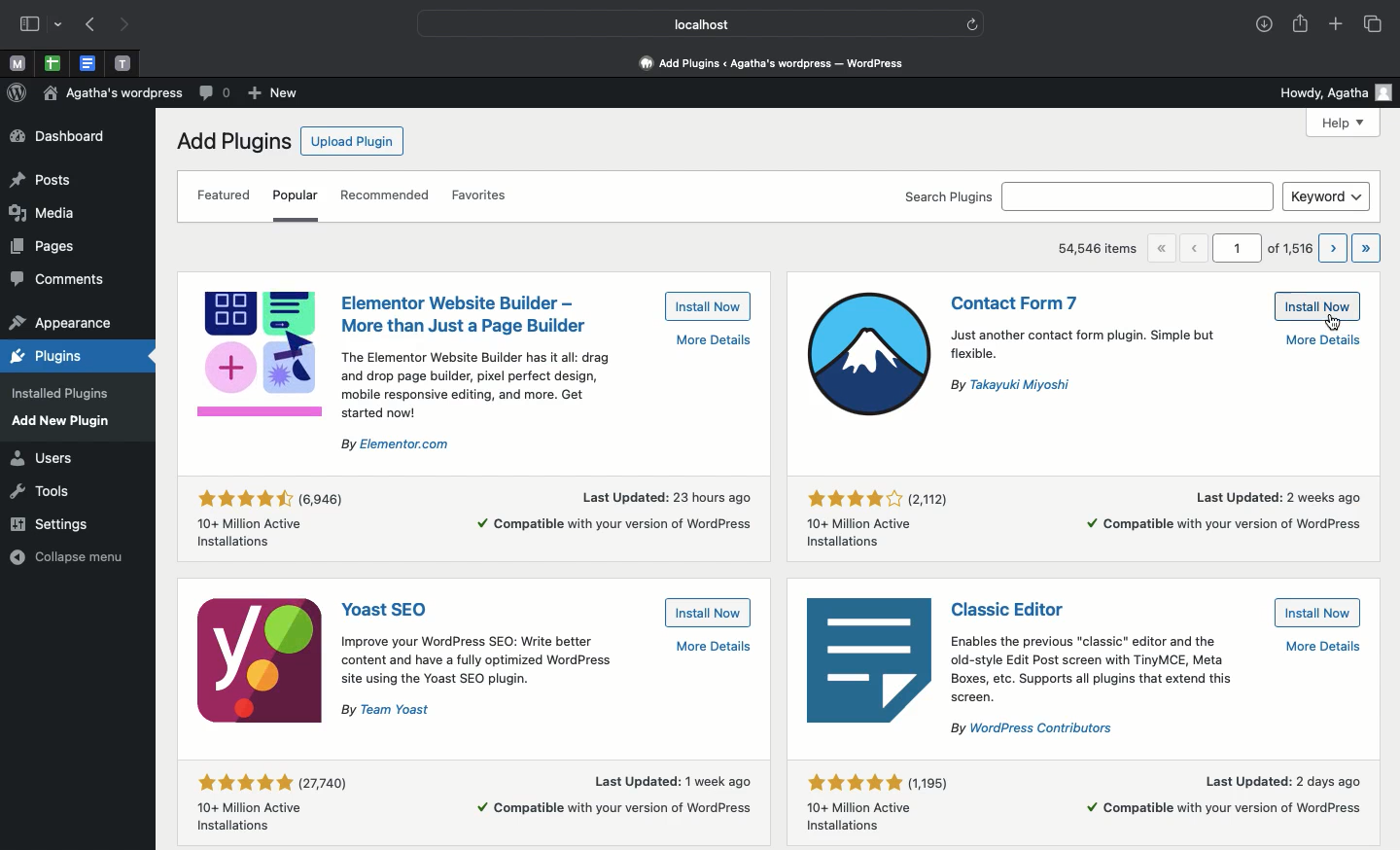 The height and width of the screenshot is (850, 1400). What do you see at coordinates (477, 195) in the screenshot?
I see `Favorites` at bounding box center [477, 195].